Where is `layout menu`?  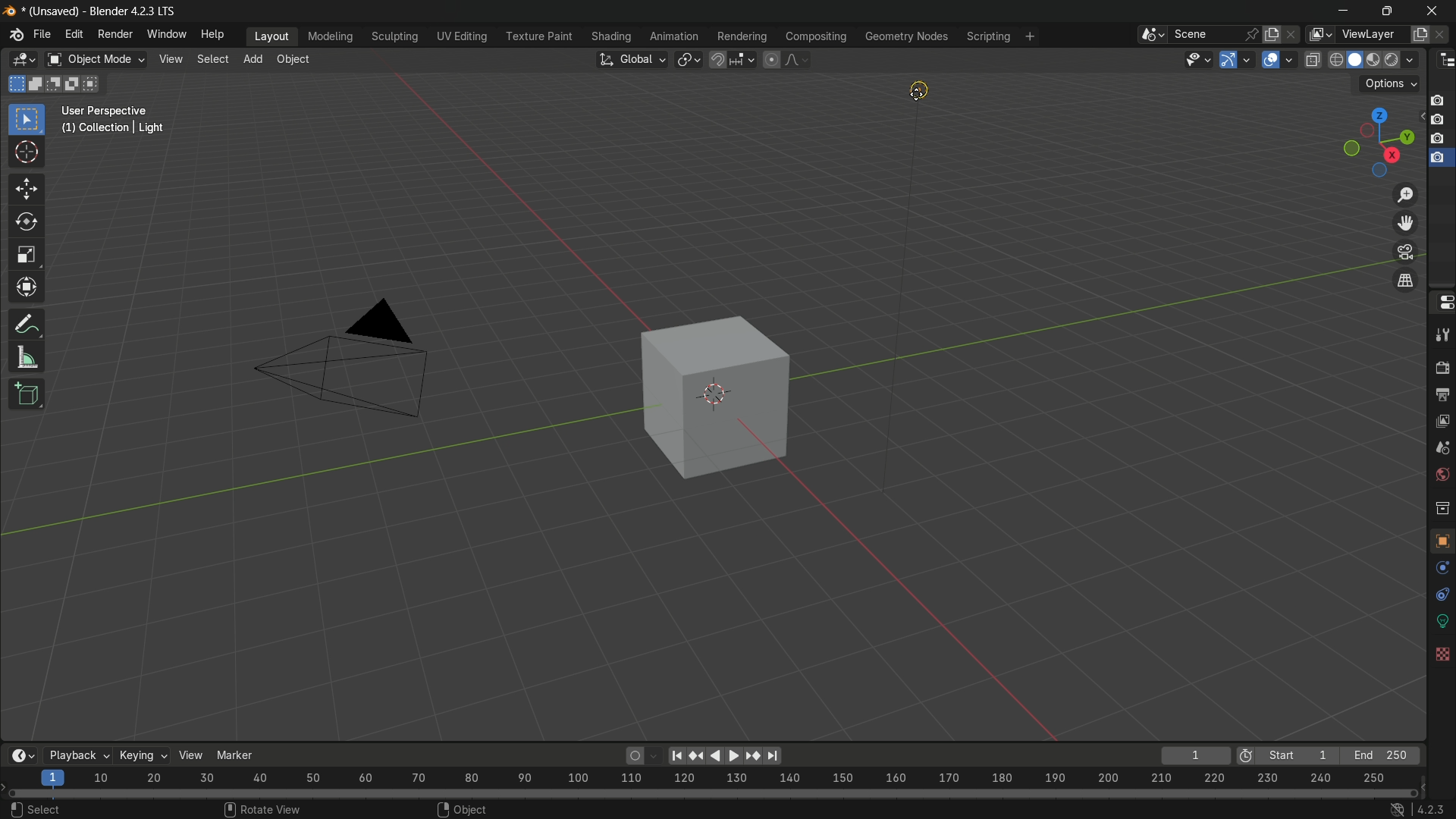 layout menu is located at coordinates (269, 36).